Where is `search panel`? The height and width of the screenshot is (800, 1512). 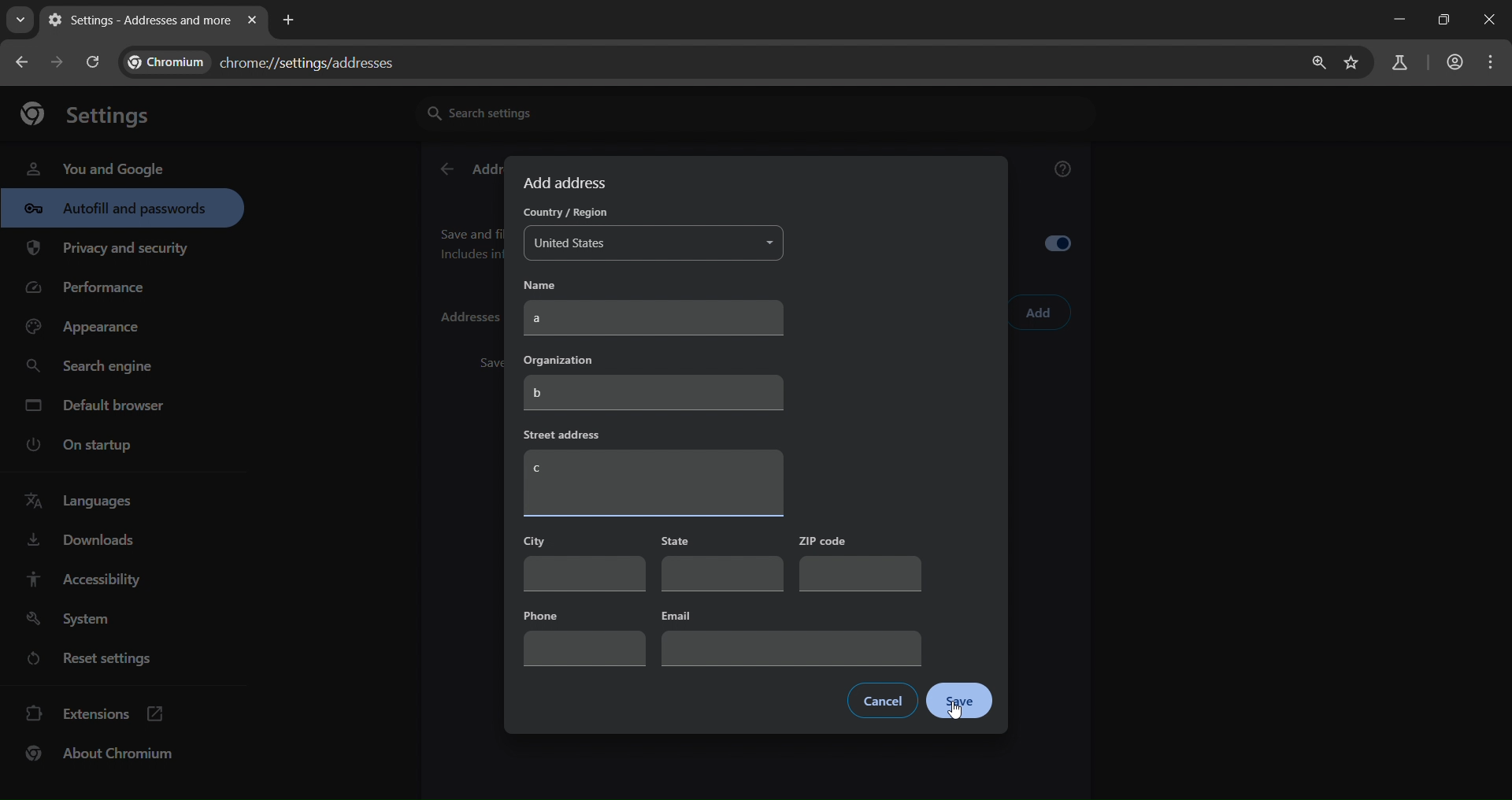 search panel is located at coordinates (1398, 64).